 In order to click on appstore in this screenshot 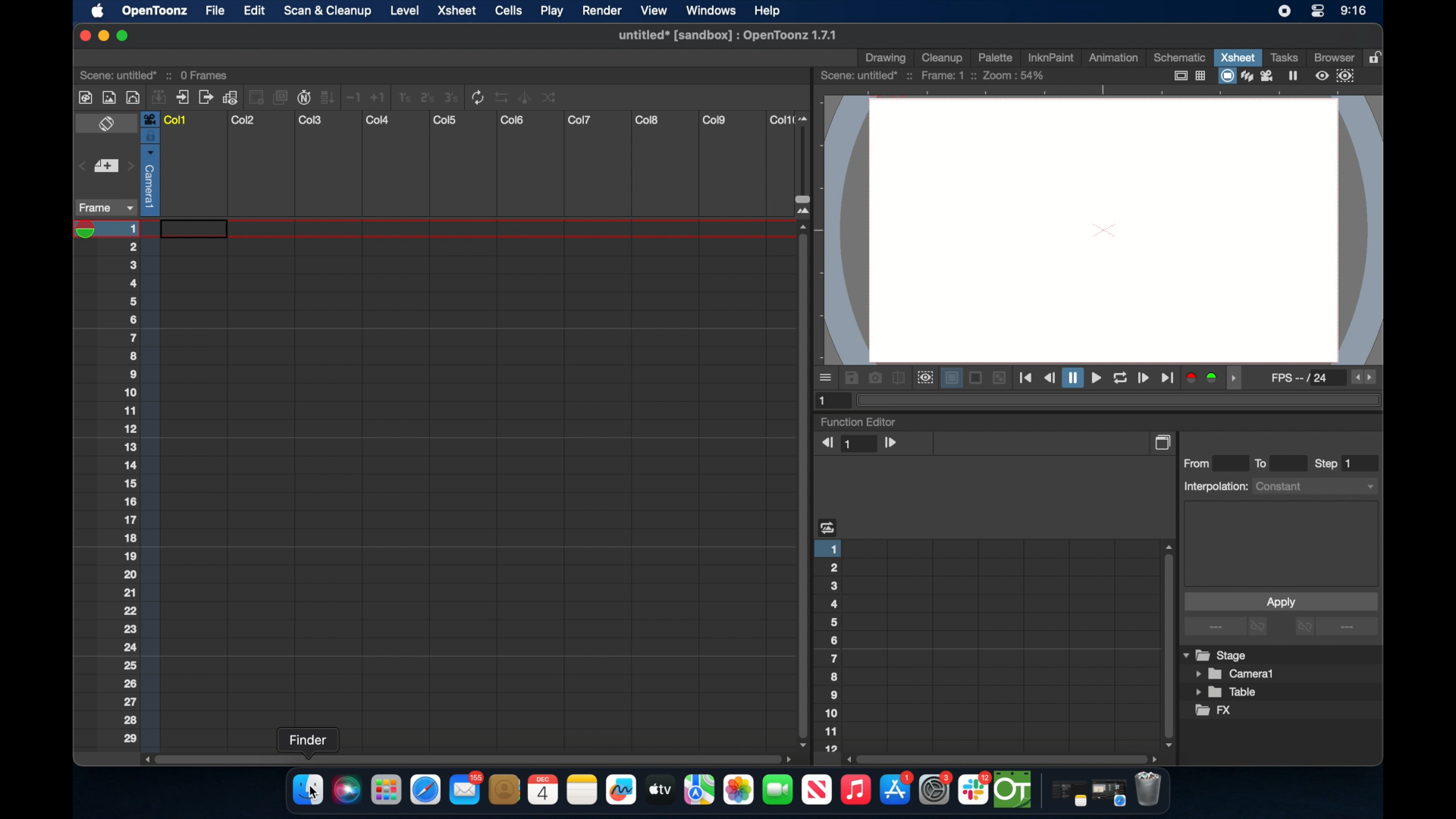, I will do `click(896, 790)`.